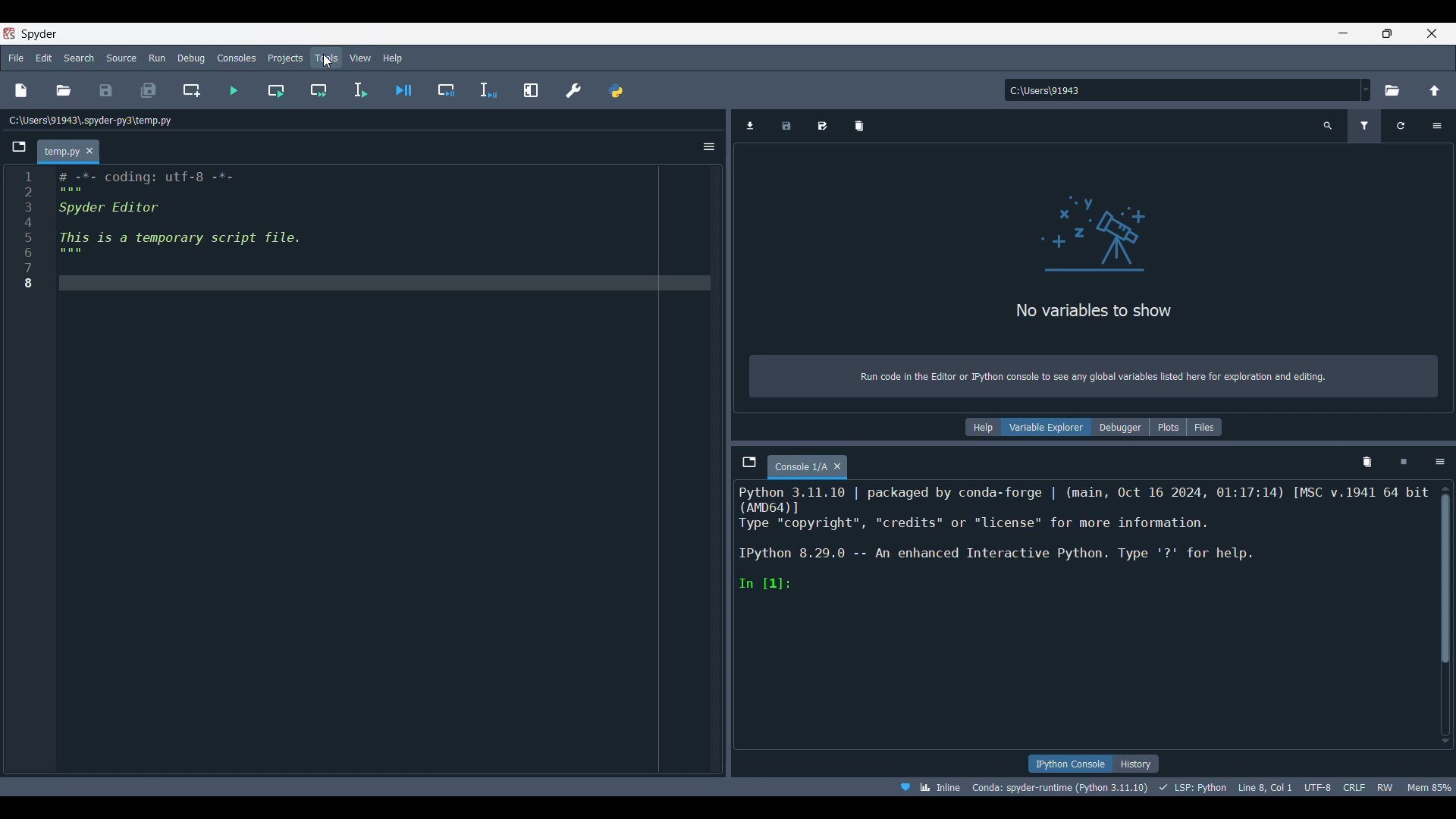 The width and height of the screenshot is (1456, 819). I want to click on Files, so click(1204, 427).